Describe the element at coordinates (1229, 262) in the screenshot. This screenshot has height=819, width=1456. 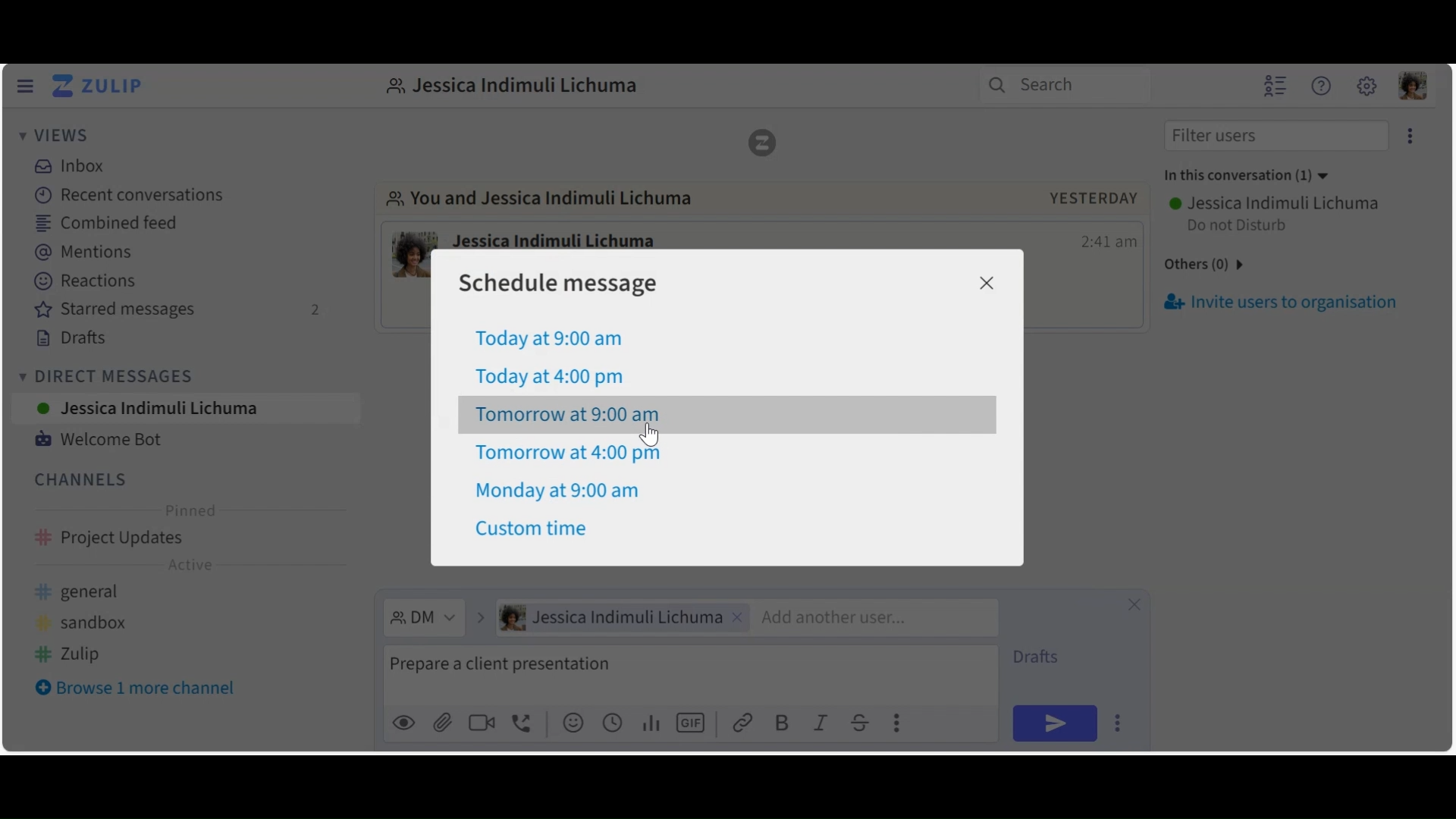
I see `others(0)` at that location.